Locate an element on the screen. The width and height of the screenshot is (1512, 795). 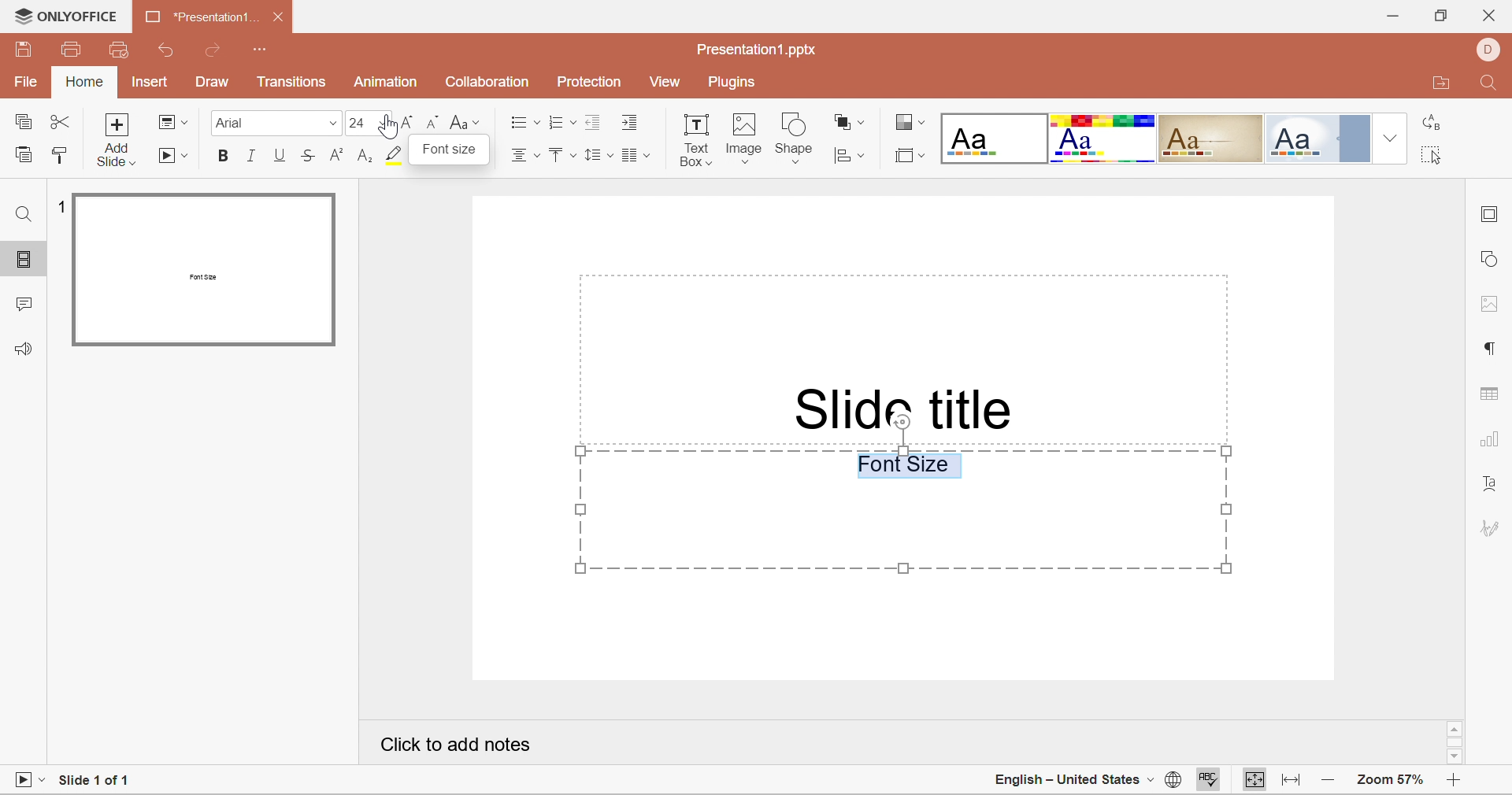
Start slideshow is located at coordinates (27, 780).